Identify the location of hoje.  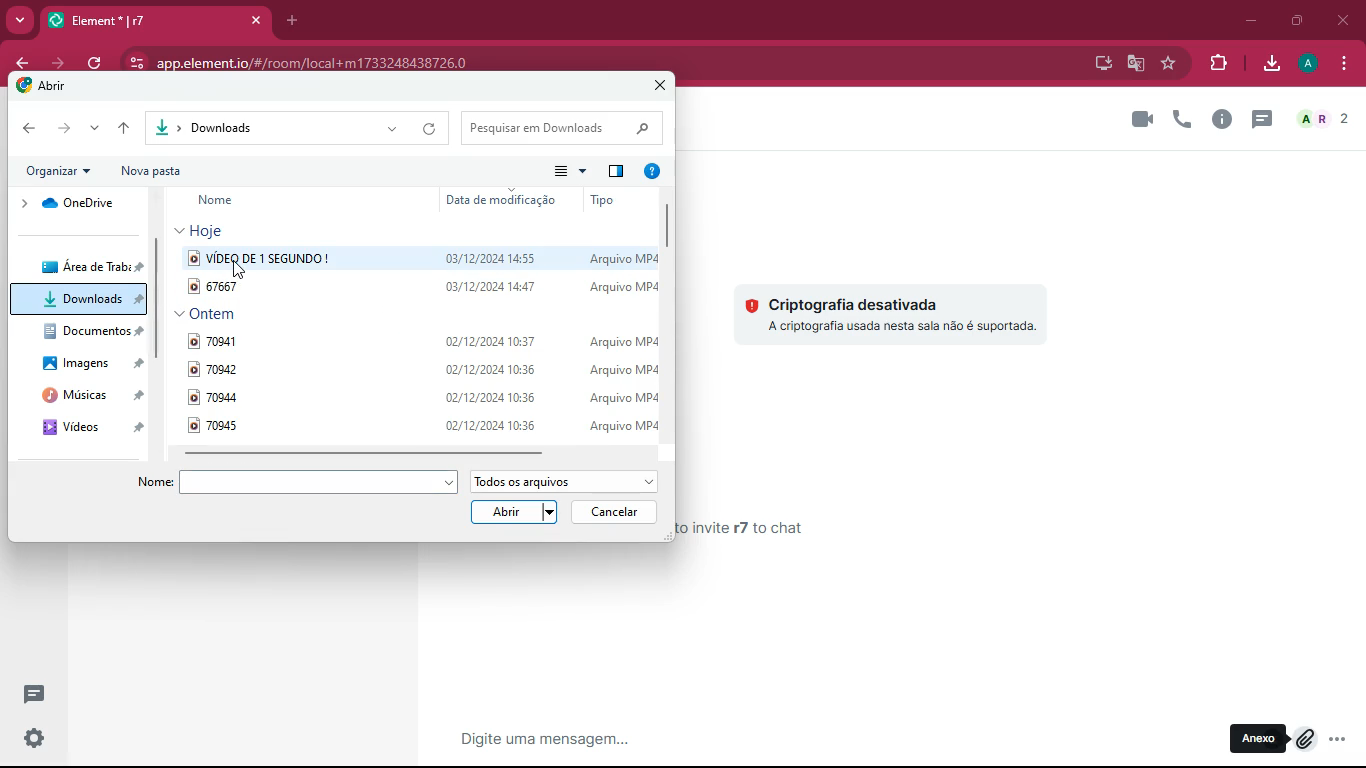
(203, 228).